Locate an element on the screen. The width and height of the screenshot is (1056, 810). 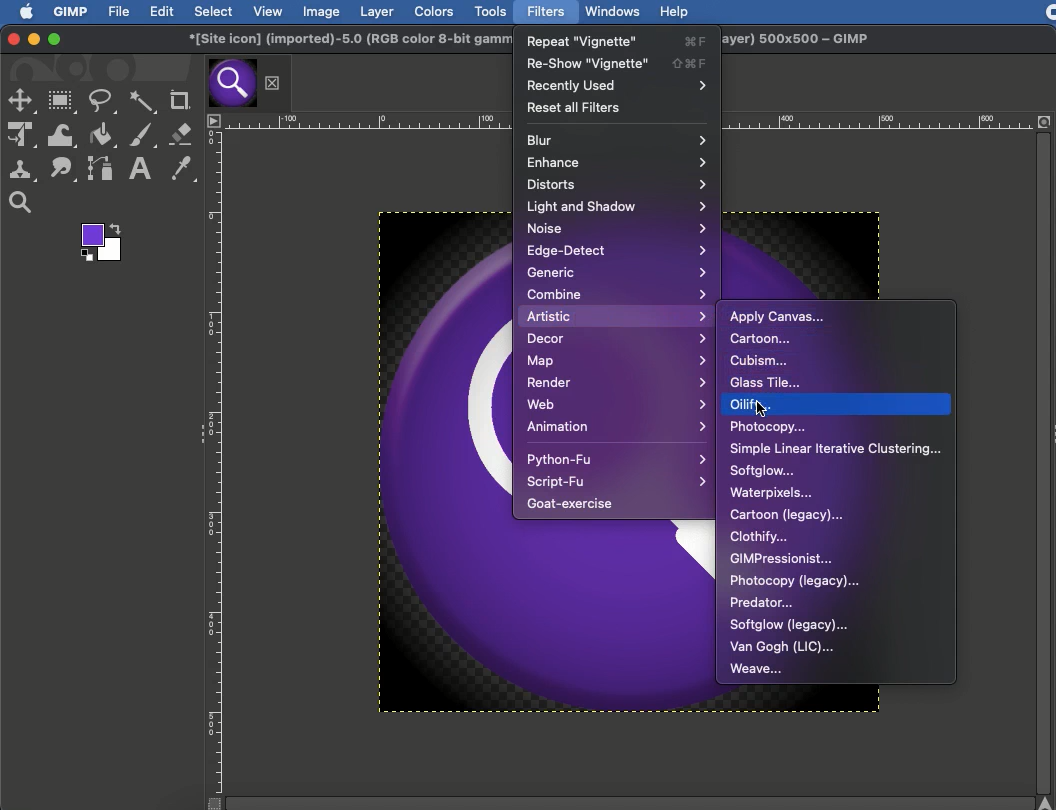
Softglow is located at coordinates (763, 471).